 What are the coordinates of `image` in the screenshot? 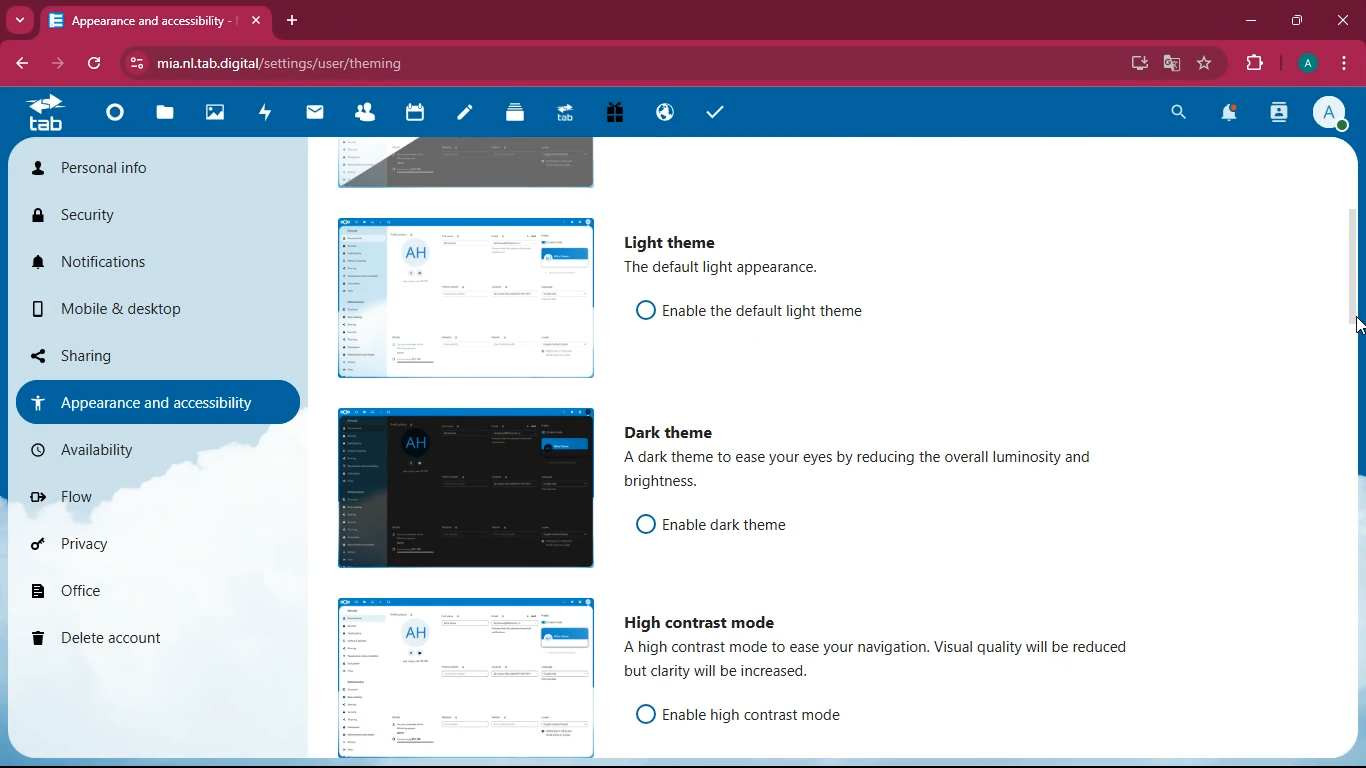 It's located at (464, 161).